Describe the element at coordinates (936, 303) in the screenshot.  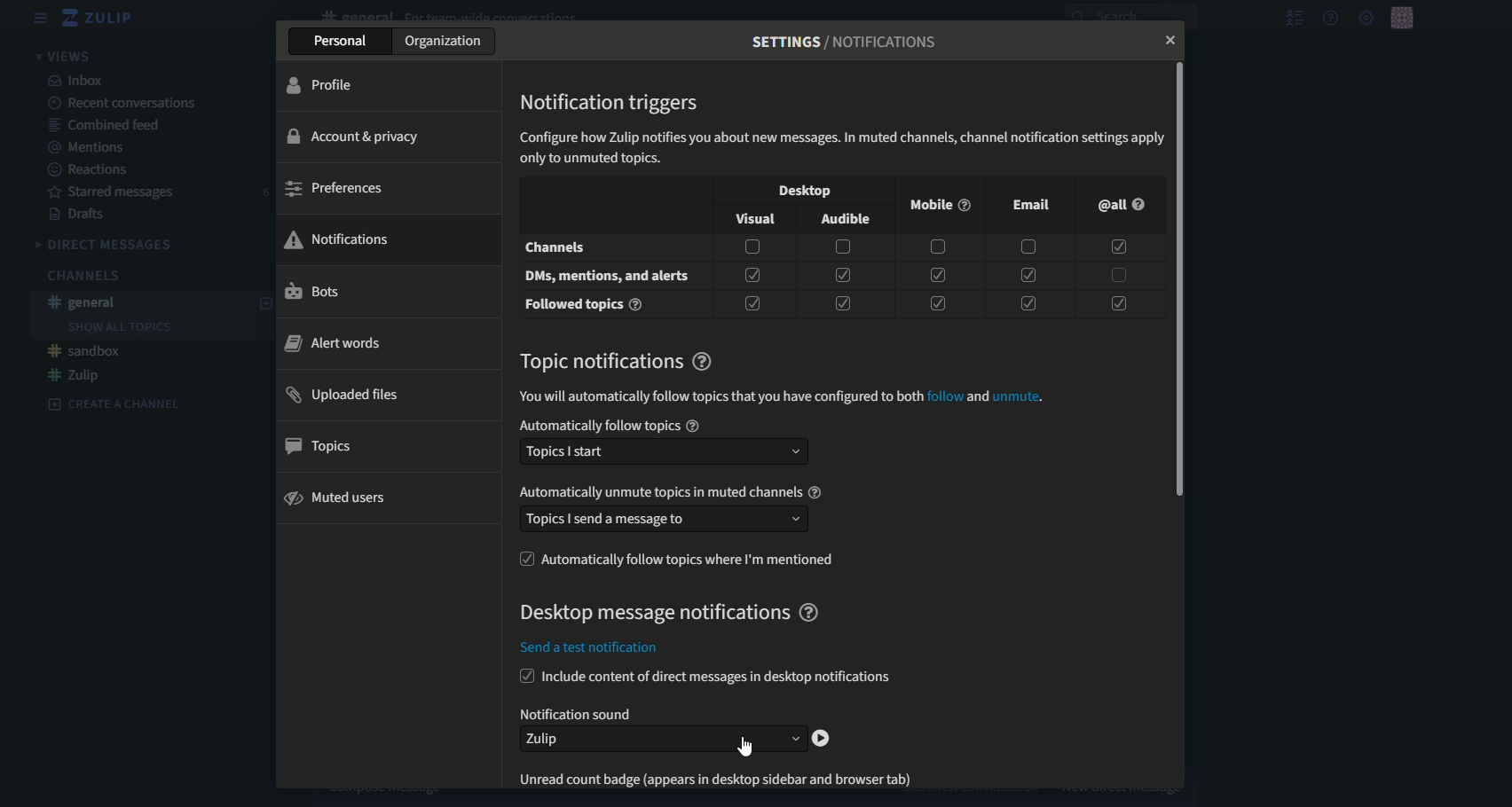
I see `checkbox` at that location.